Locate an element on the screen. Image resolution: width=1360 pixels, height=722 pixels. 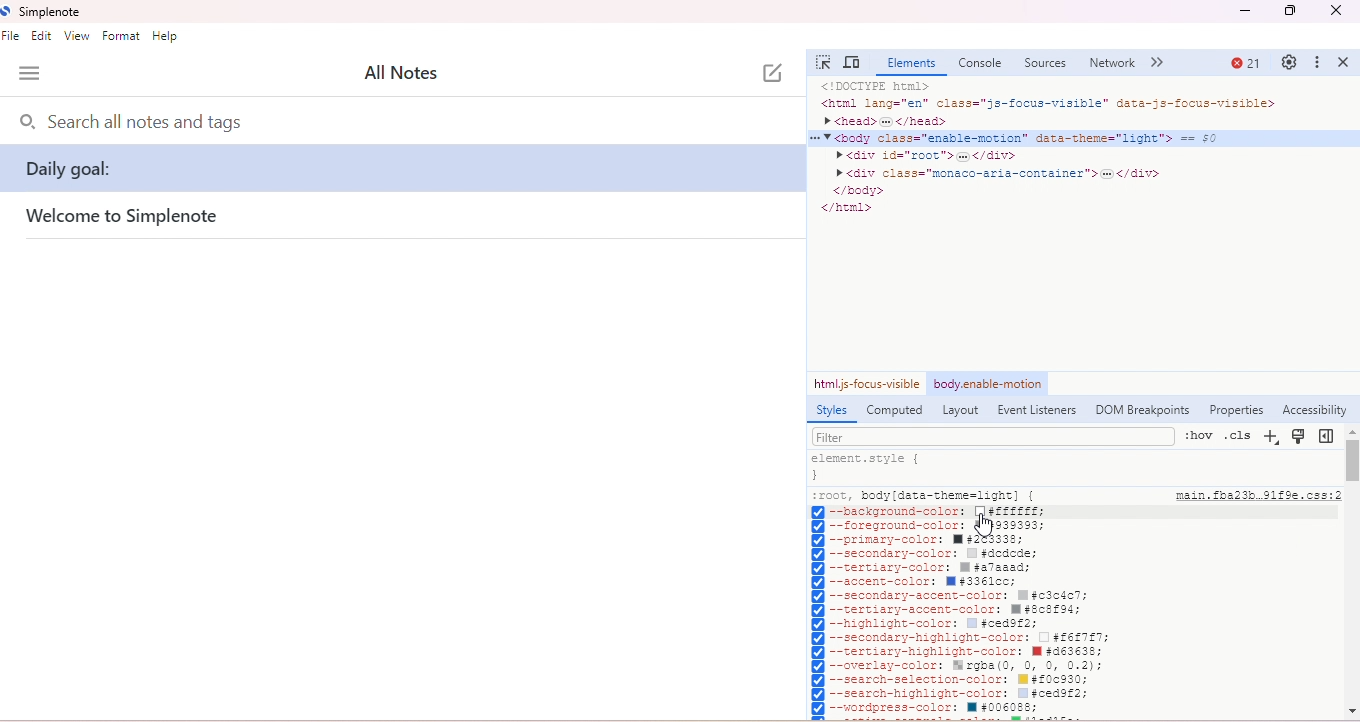
DCM breakpoints is located at coordinates (1141, 412).